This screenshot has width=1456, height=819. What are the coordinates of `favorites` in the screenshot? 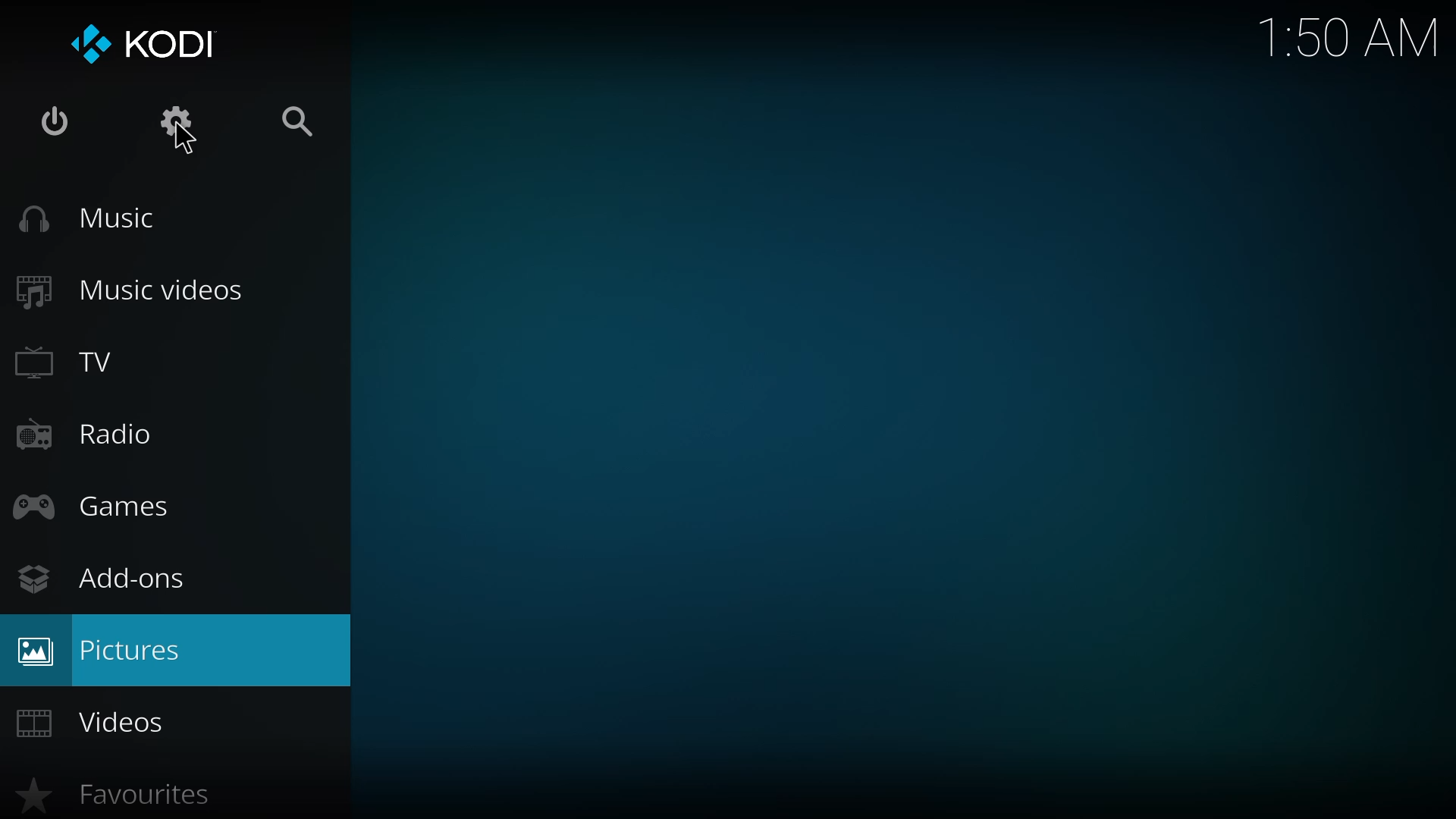 It's located at (128, 795).